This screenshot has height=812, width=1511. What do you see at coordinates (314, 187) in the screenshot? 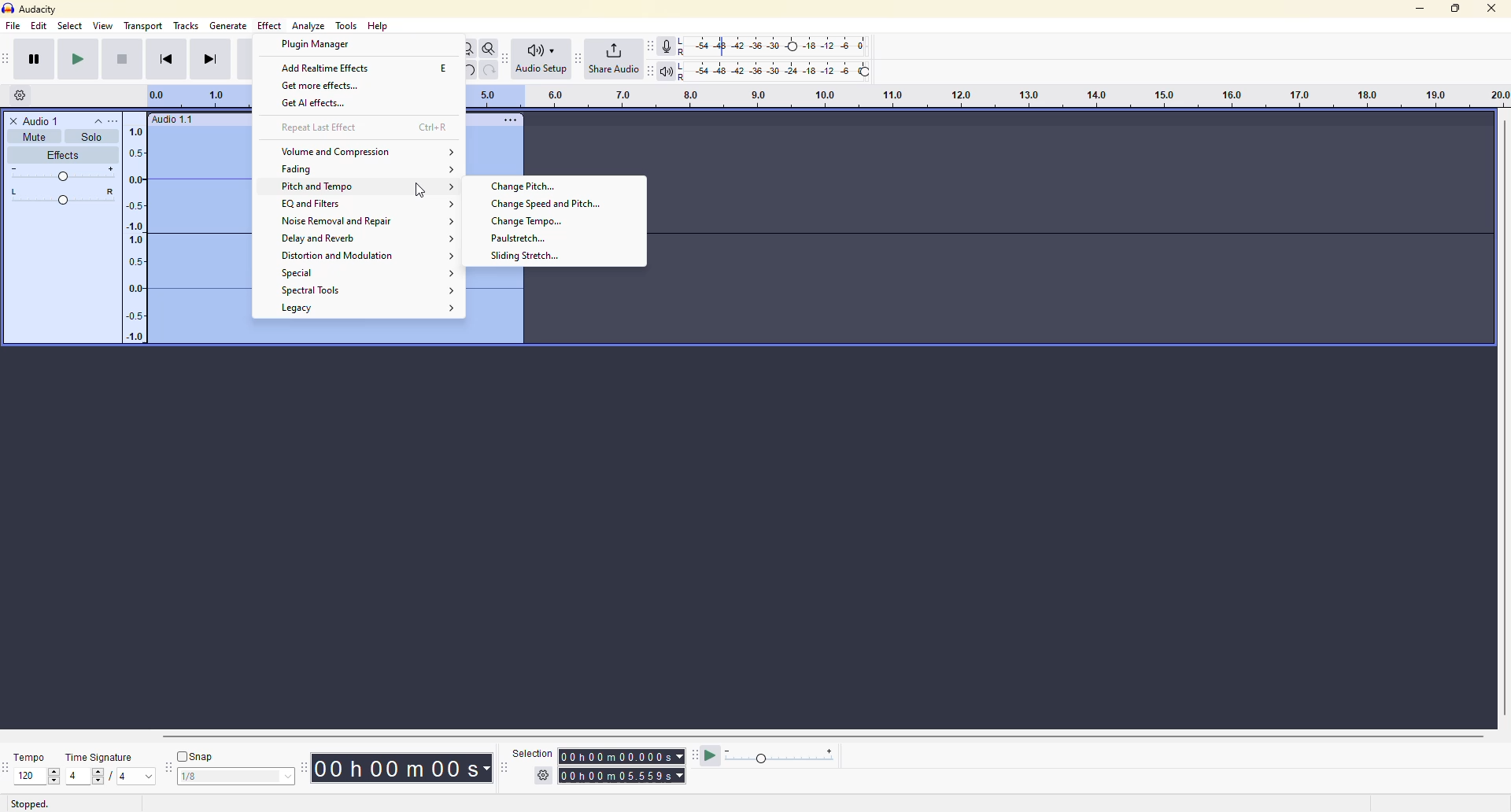
I see `pitch and tempo` at bounding box center [314, 187].